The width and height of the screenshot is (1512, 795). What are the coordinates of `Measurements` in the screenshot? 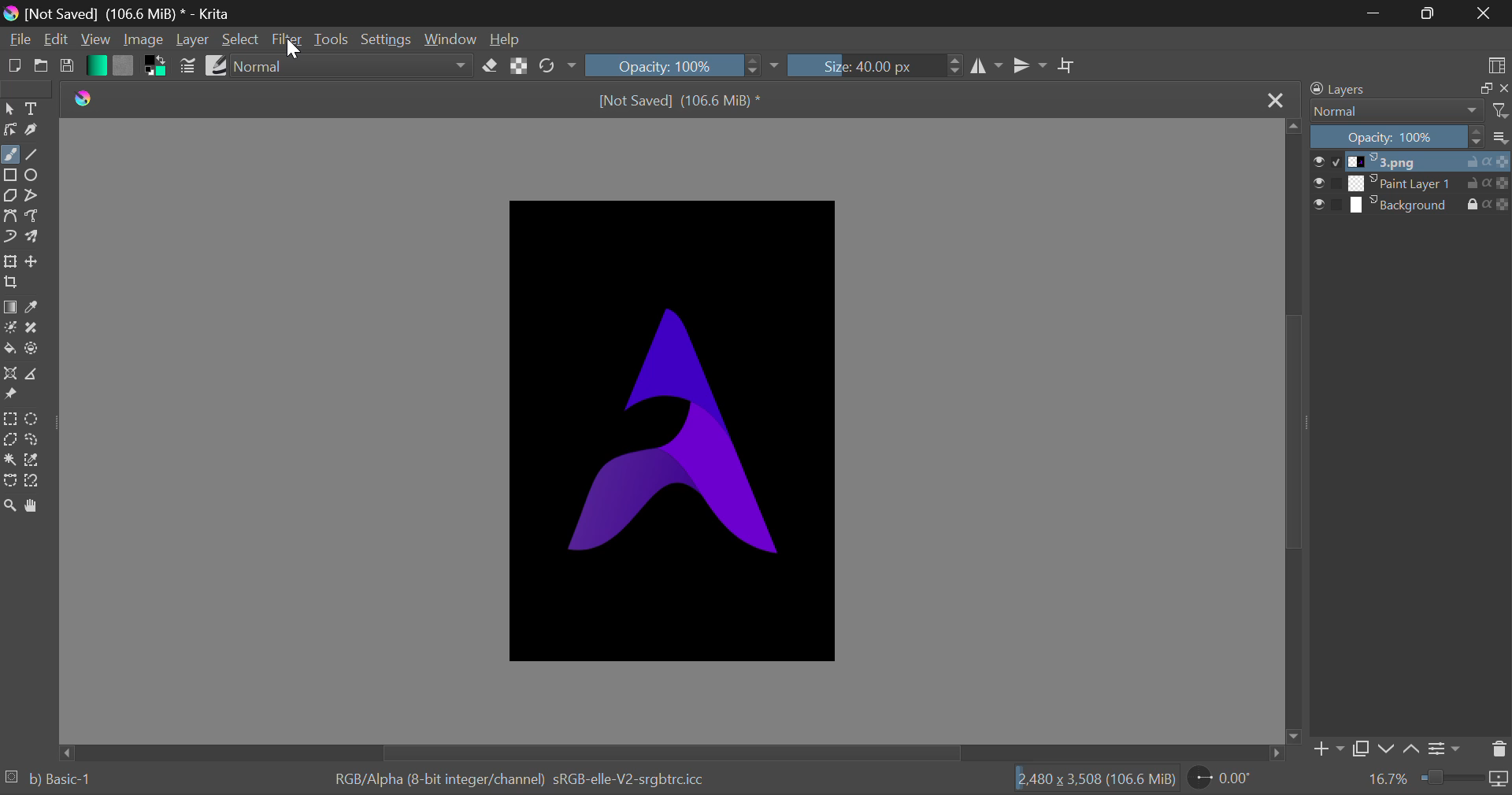 It's located at (32, 374).